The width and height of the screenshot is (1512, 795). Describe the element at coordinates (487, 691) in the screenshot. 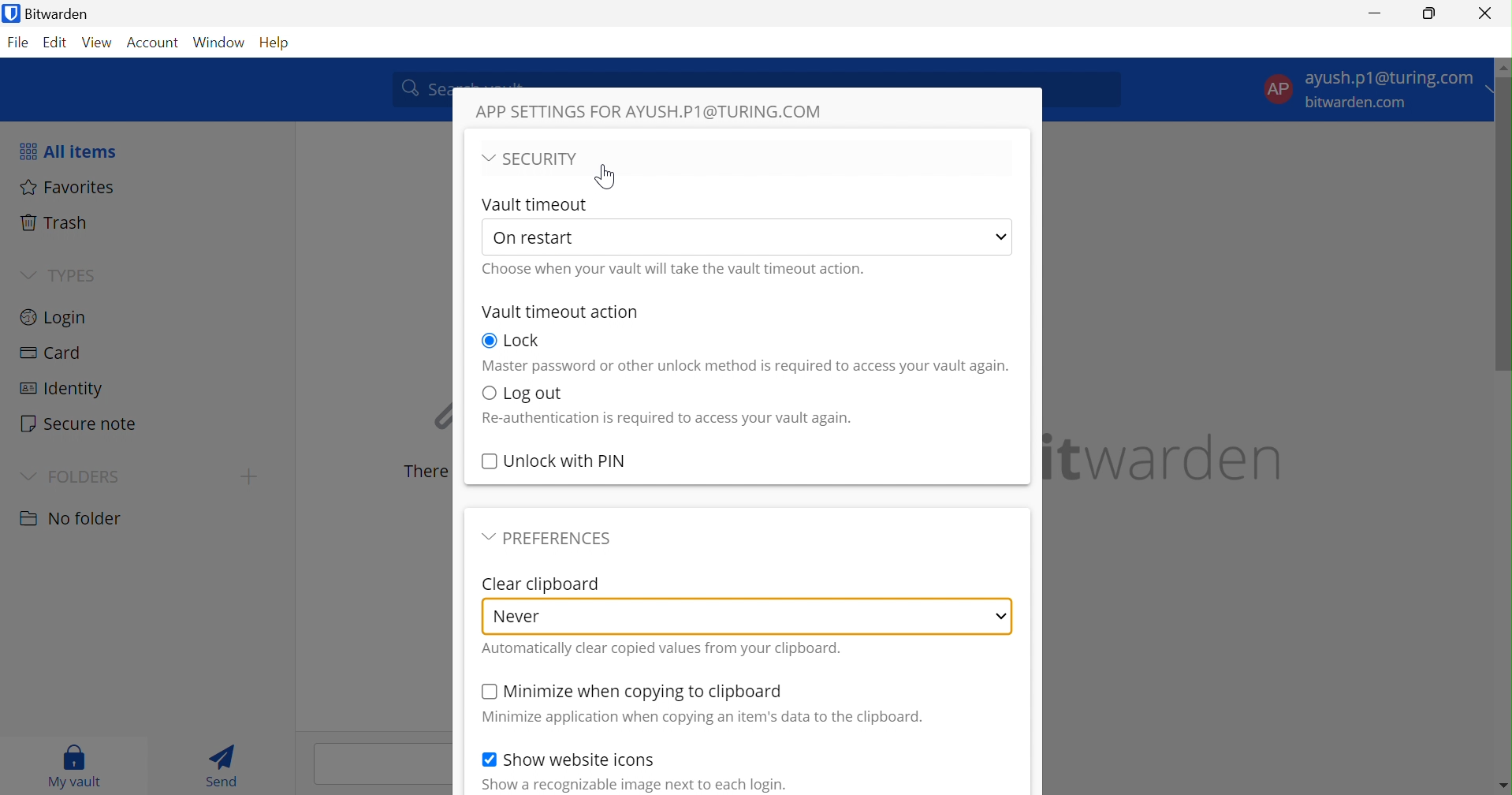

I see `Checkbox` at that location.